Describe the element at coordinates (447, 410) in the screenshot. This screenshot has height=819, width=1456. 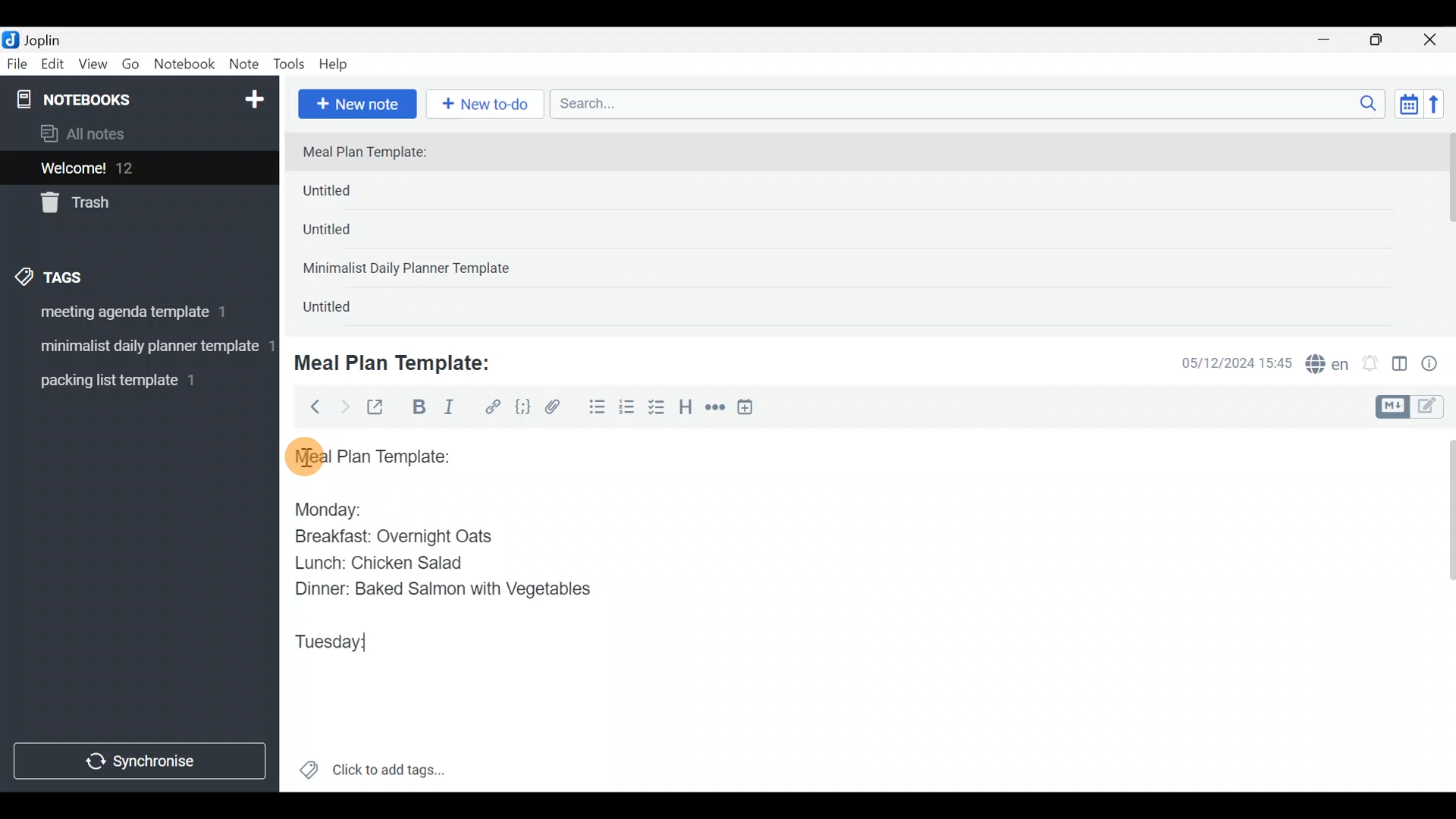
I see `Italic` at that location.